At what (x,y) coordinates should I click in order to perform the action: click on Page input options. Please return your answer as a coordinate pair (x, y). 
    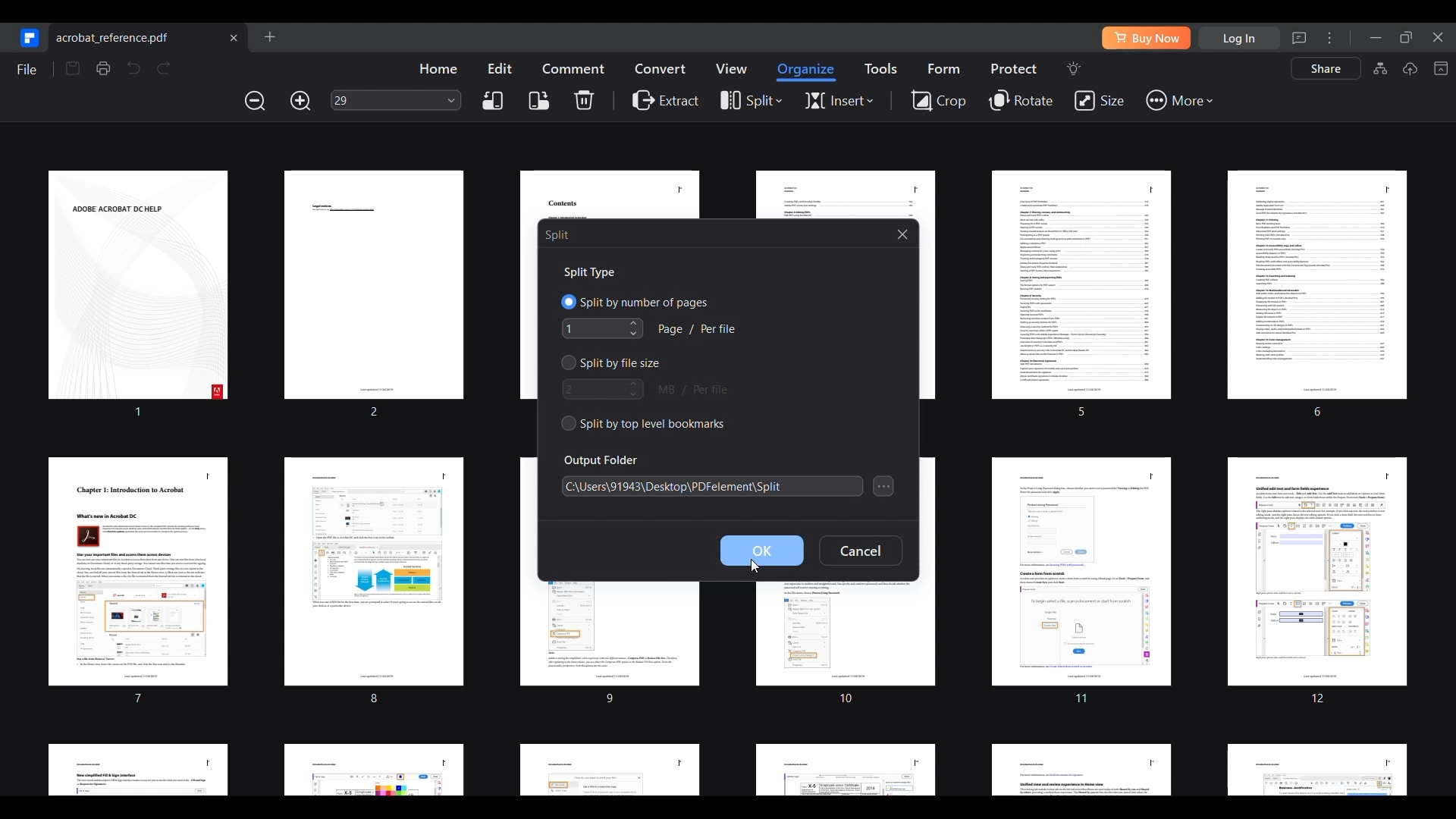
    Looking at the image, I should click on (452, 99).